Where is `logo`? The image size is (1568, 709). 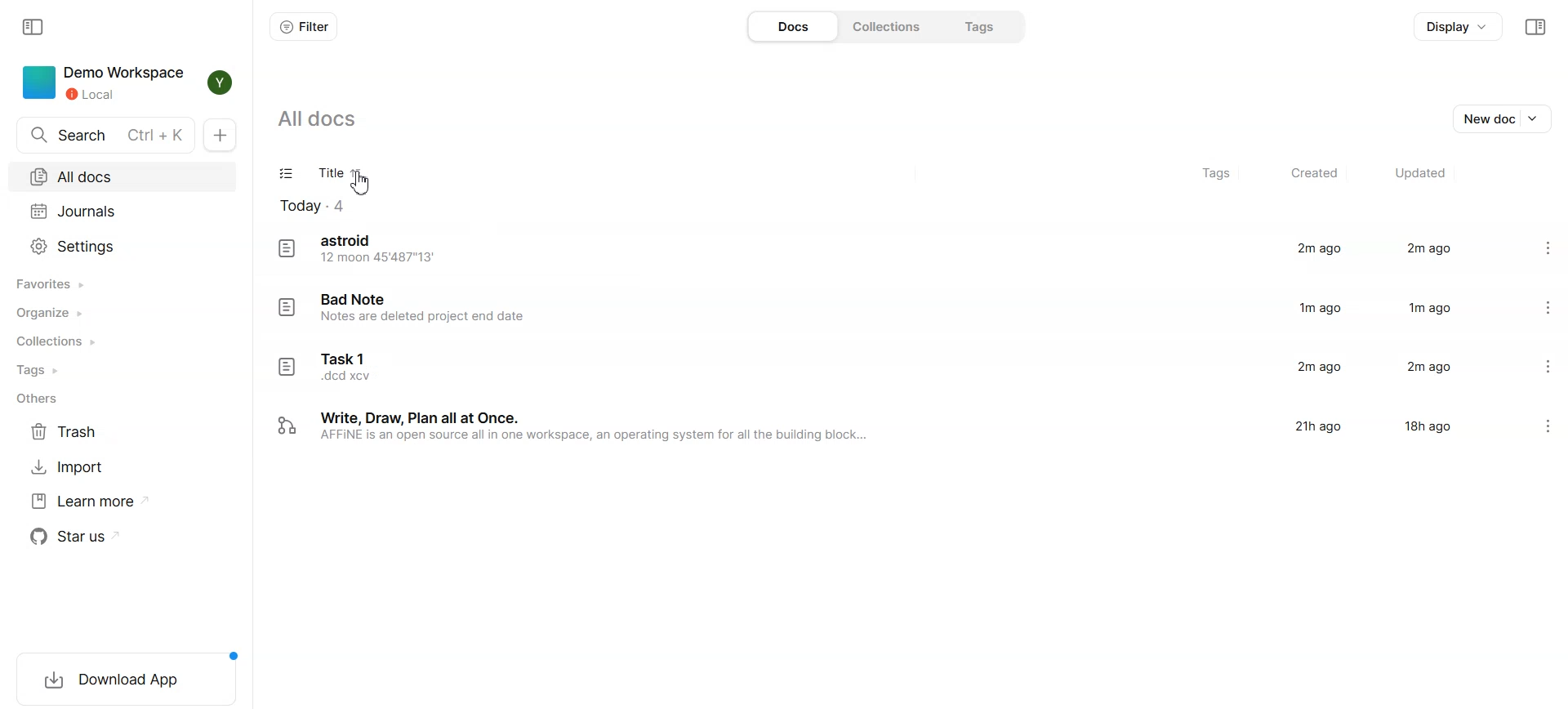
logo is located at coordinates (286, 247).